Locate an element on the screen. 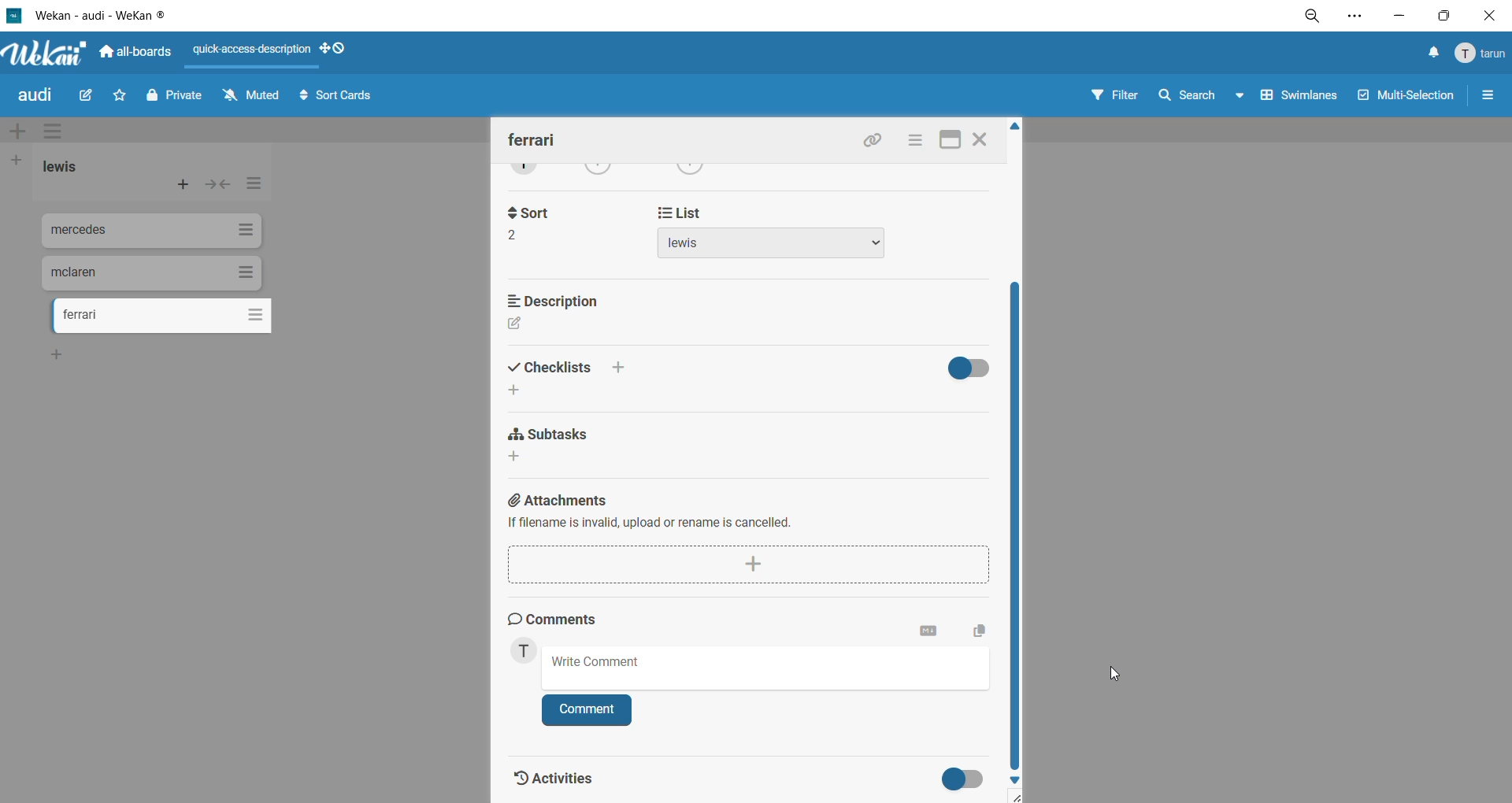 This screenshot has height=803, width=1512. app logo is located at coordinates (43, 50).